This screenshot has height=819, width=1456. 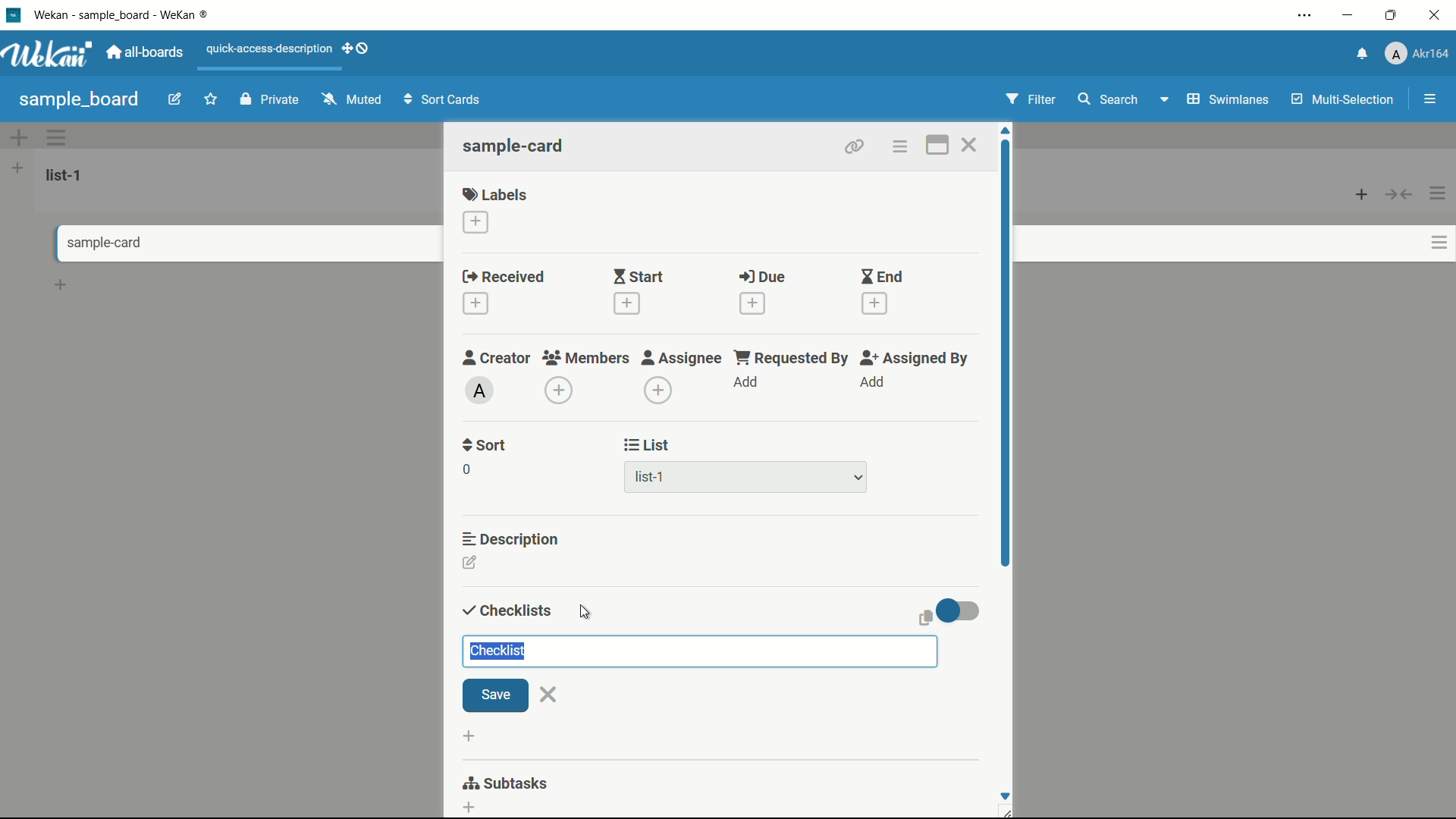 I want to click on admin, so click(x=480, y=391).